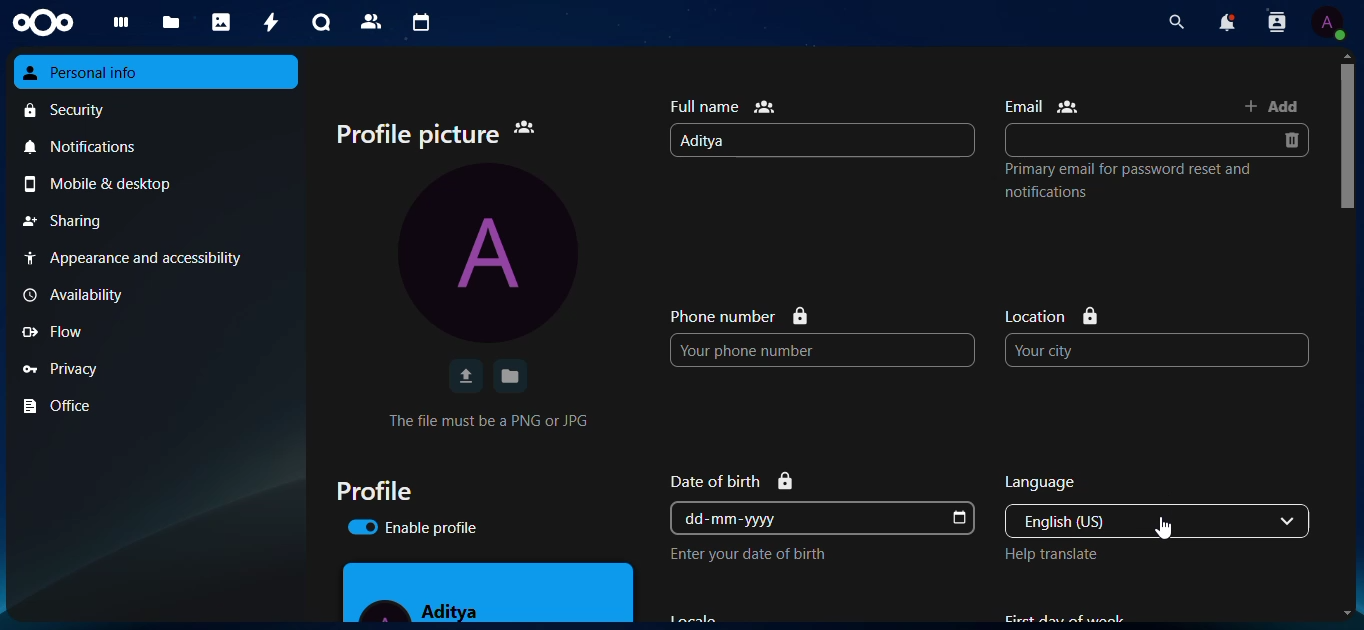 This screenshot has height=630, width=1364. Describe the element at coordinates (420, 23) in the screenshot. I see `calendar` at that location.